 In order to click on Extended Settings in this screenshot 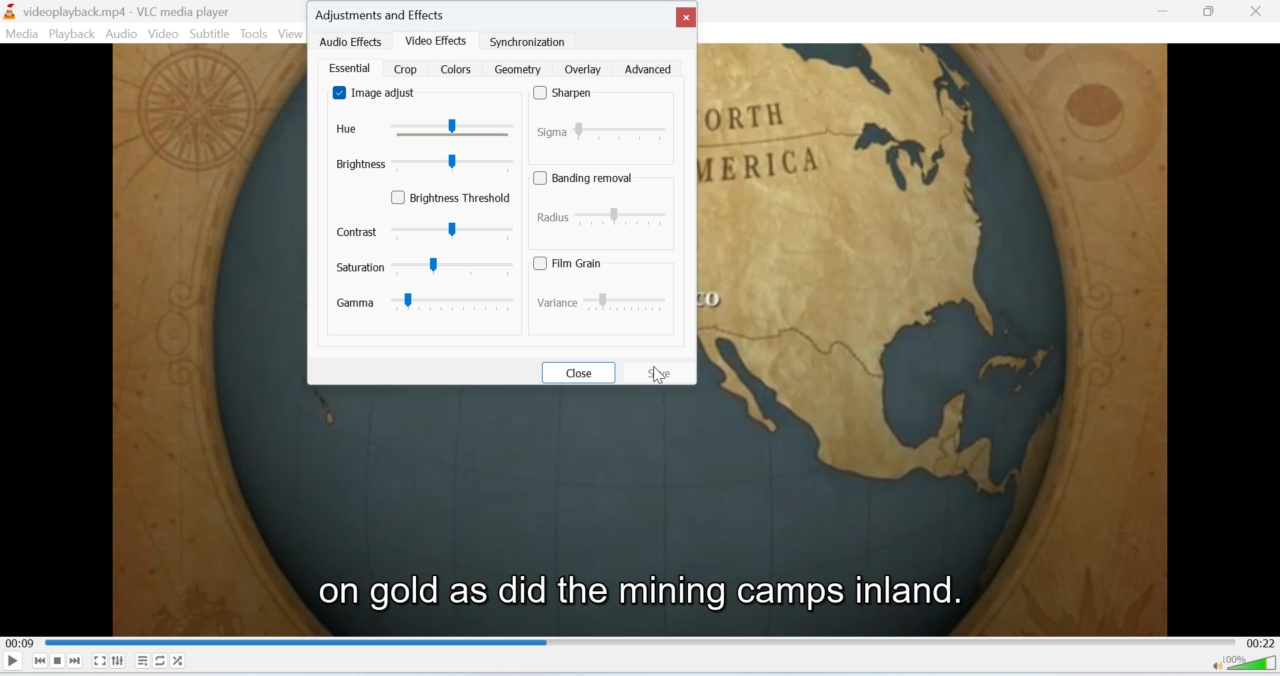, I will do `click(118, 661)`.